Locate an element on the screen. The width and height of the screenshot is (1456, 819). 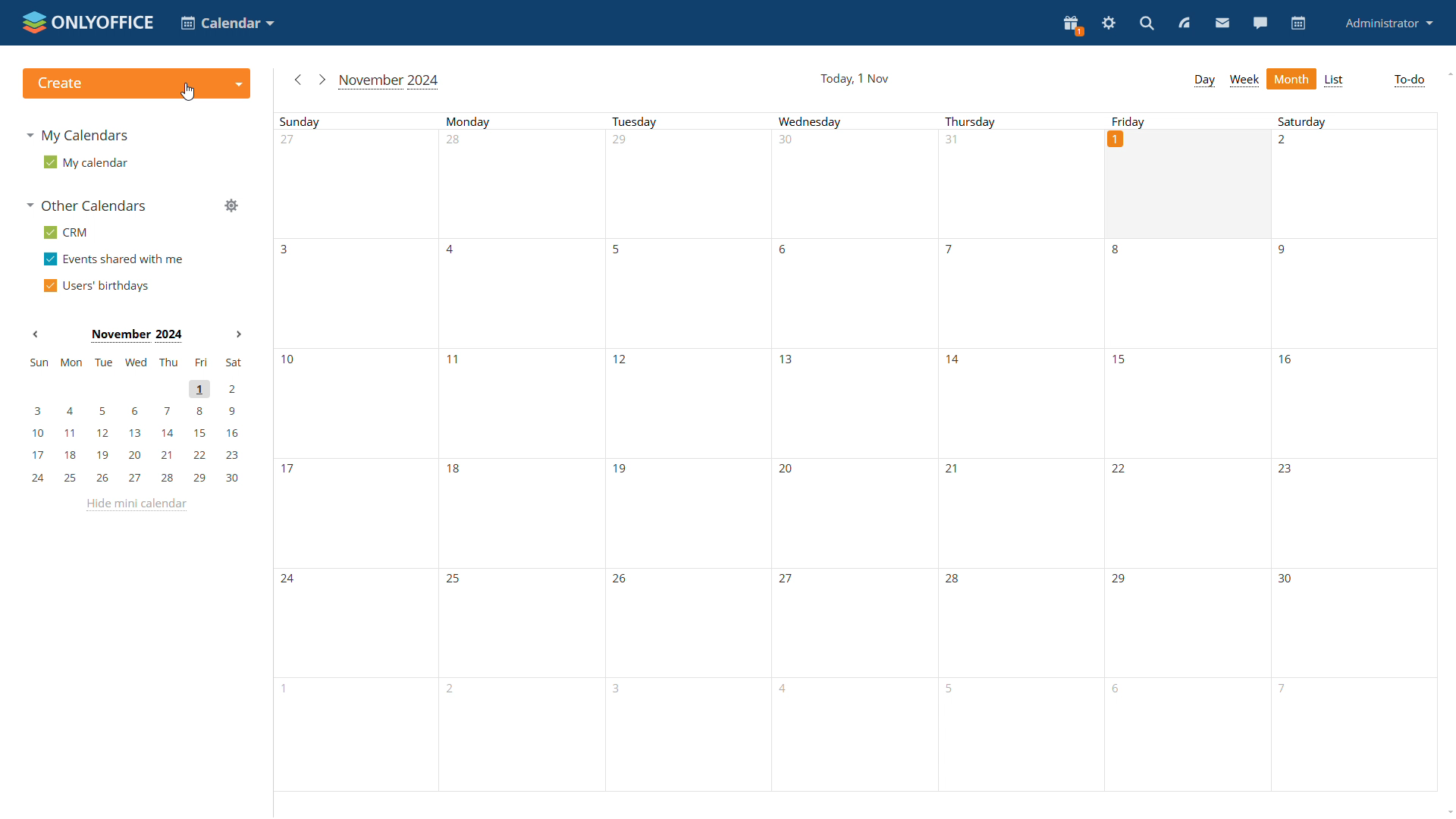
Thursday is located at coordinates (1025, 453).